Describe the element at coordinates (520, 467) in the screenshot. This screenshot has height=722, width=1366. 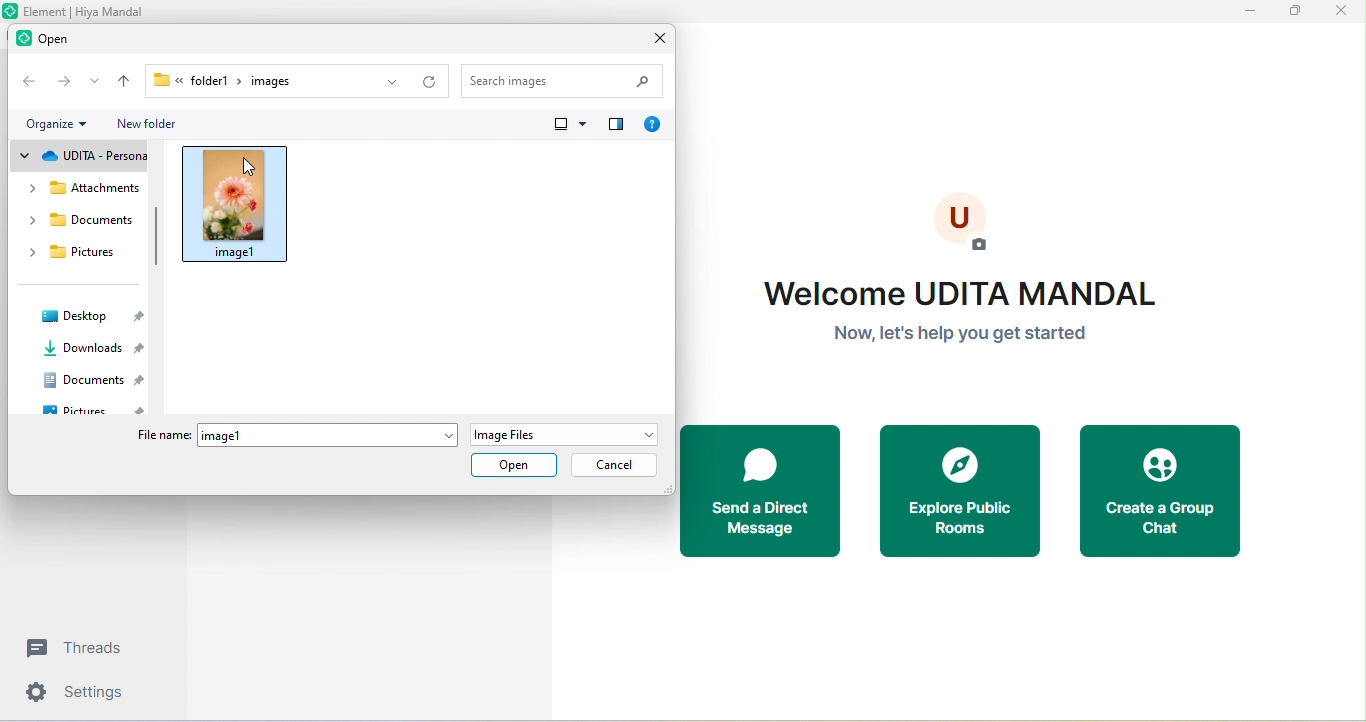
I see `open` at that location.